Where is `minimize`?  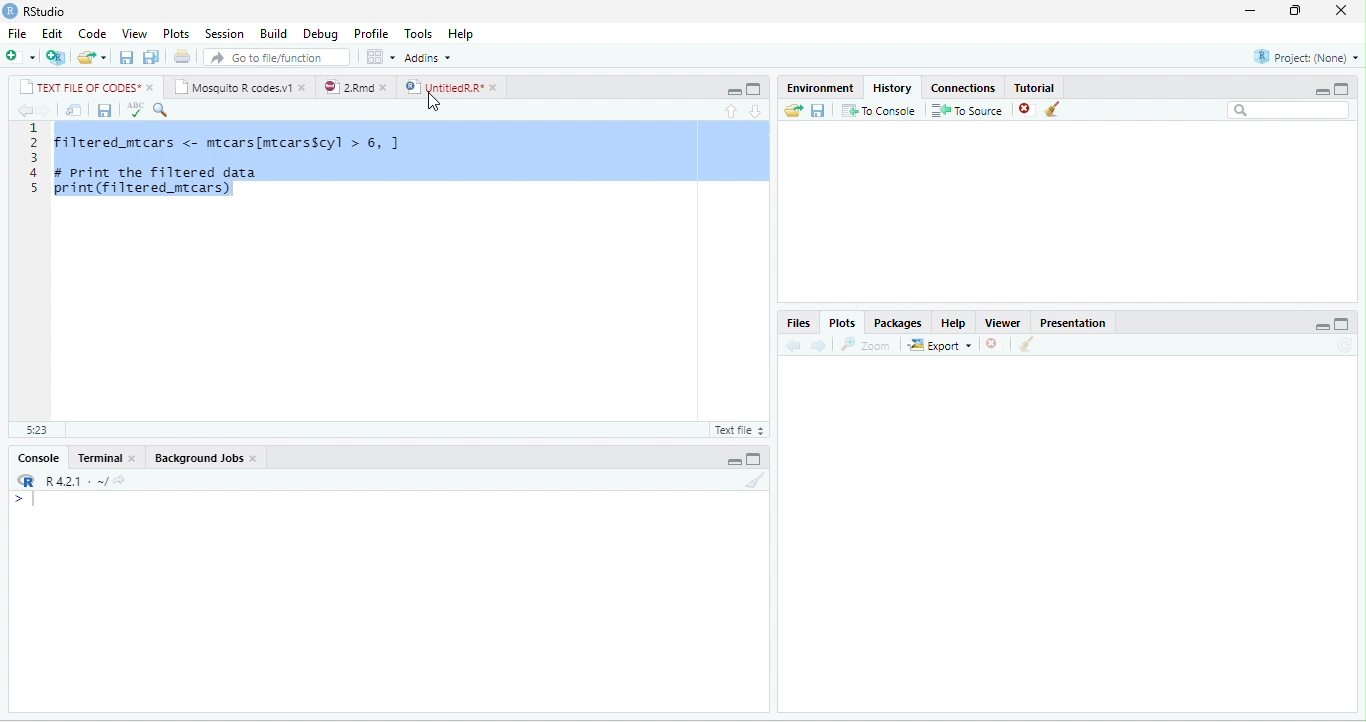
minimize is located at coordinates (734, 461).